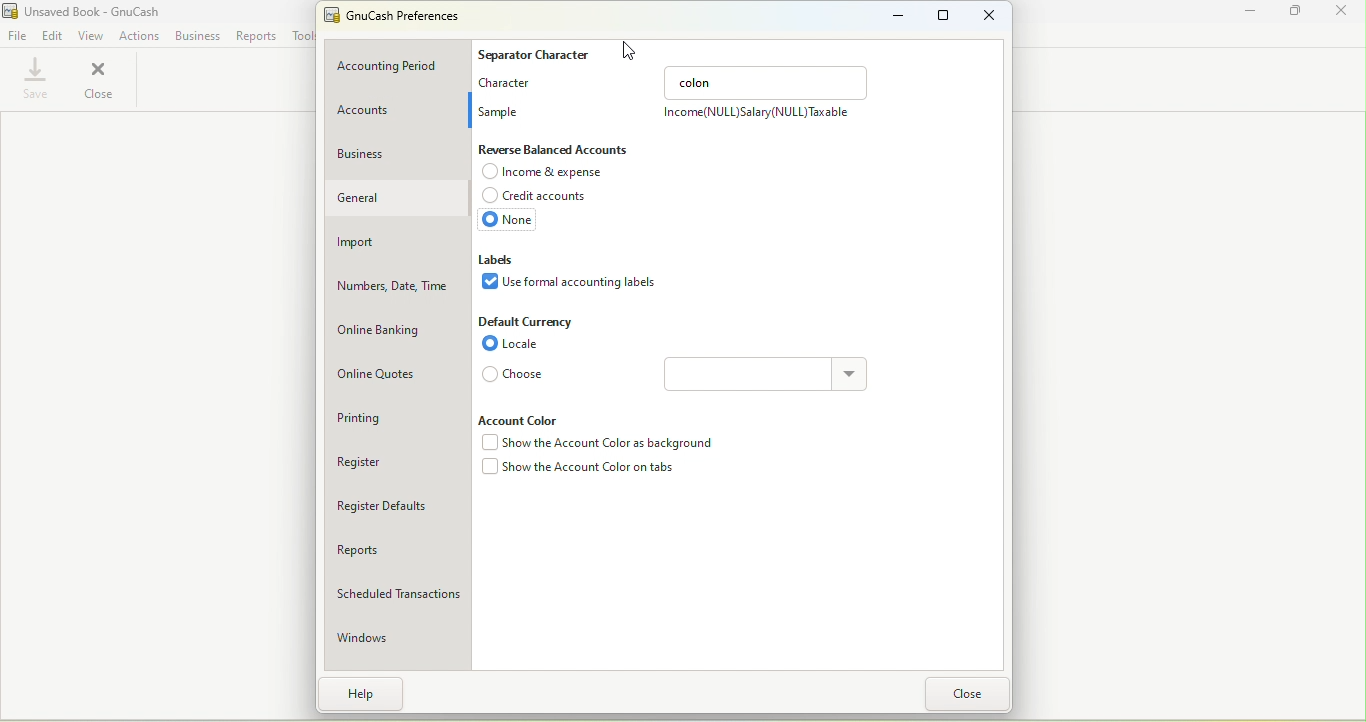 The height and width of the screenshot is (722, 1366). Describe the element at coordinates (506, 83) in the screenshot. I see `Character` at that location.